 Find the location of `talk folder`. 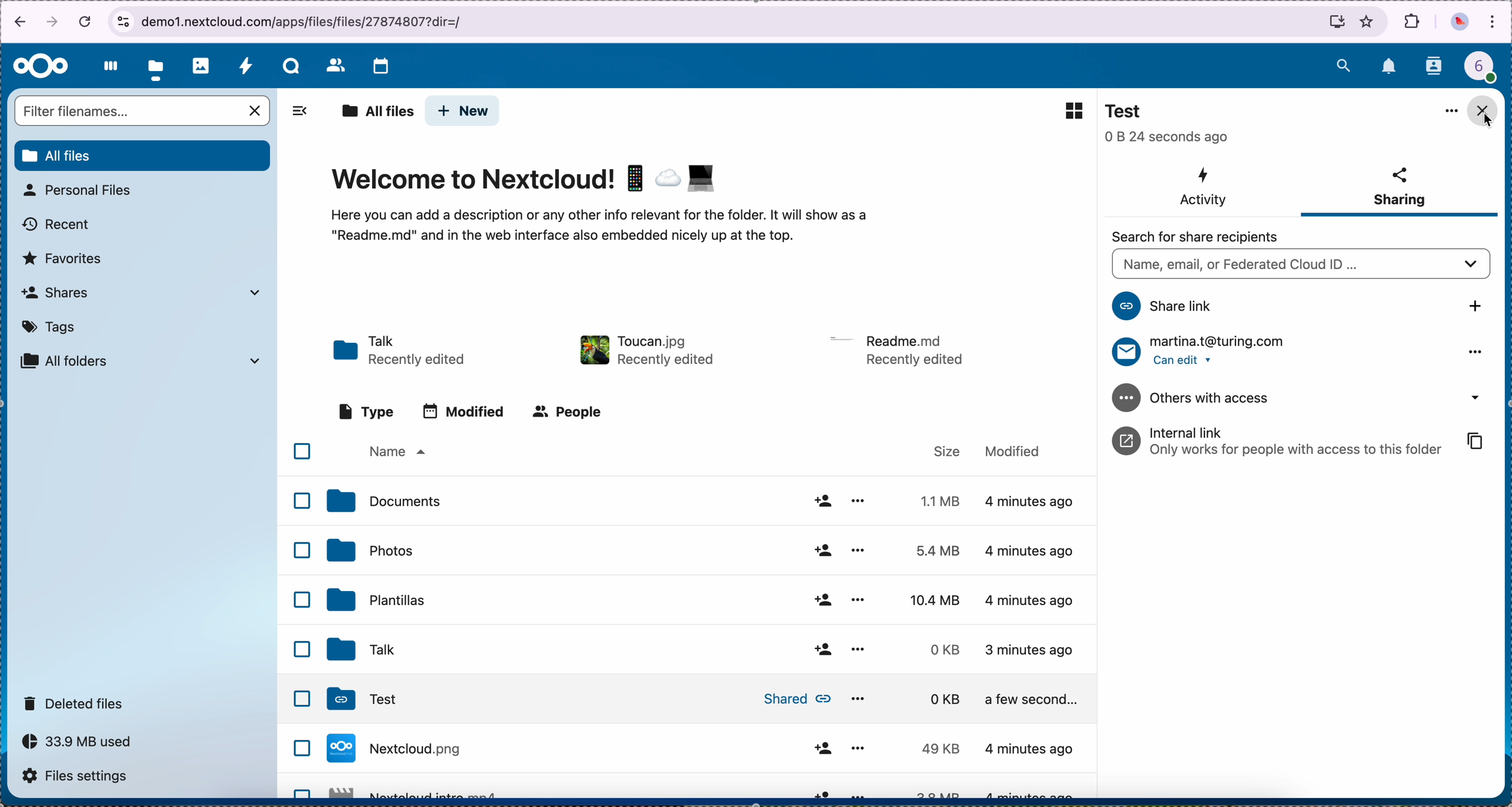

talk folder is located at coordinates (401, 352).